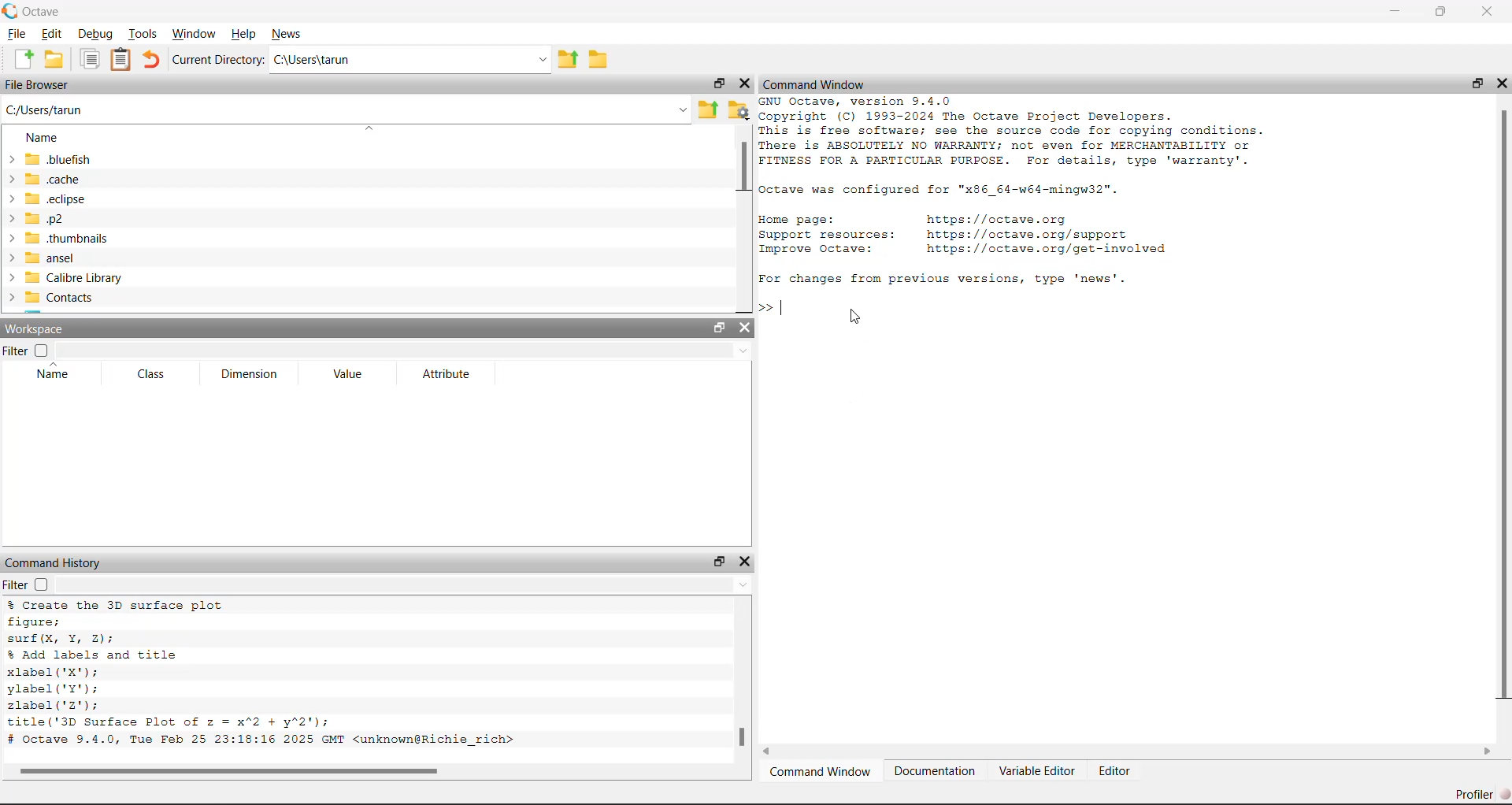 This screenshot has height=805, width=1512. Describe the element at coordinates (746, 562) in the screenshot. I see `Close` at that location.